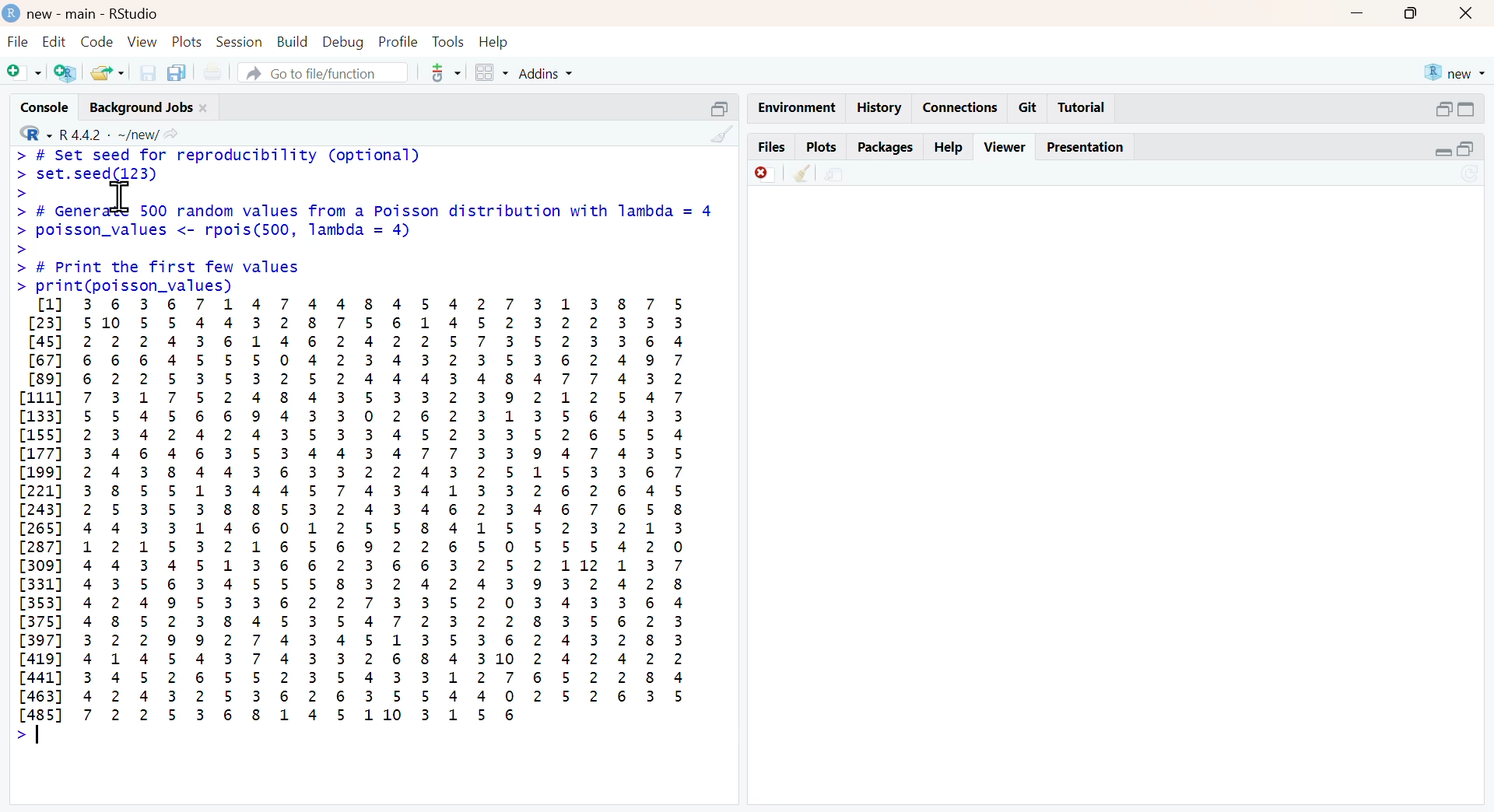 This screenshot has width=1494, height=812. Describe the element at coordinates (214, 70) in the screenshot. I see `print` at that location.